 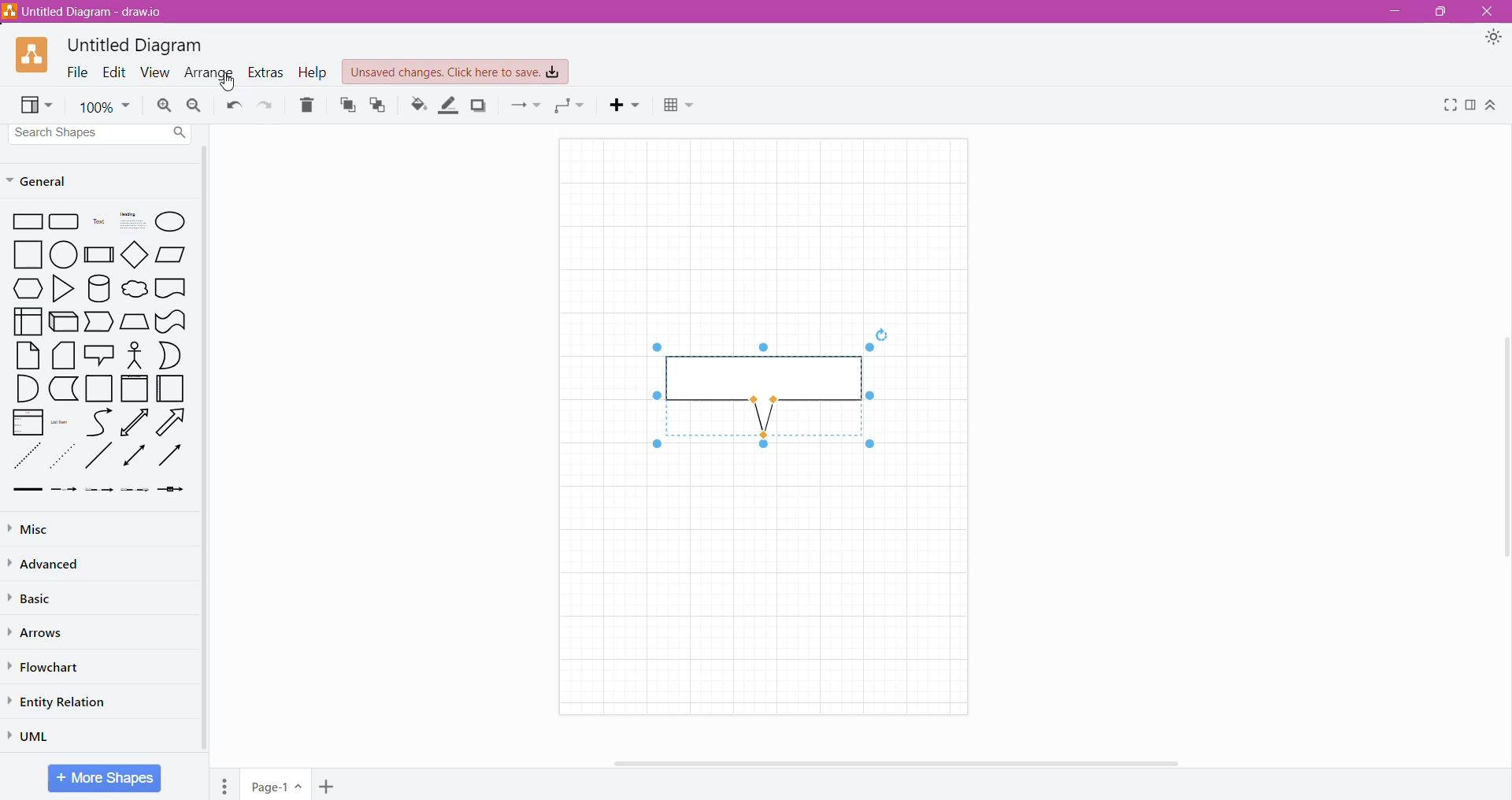 I want to click on 3D Rectangle, so click(x=64, y=321).